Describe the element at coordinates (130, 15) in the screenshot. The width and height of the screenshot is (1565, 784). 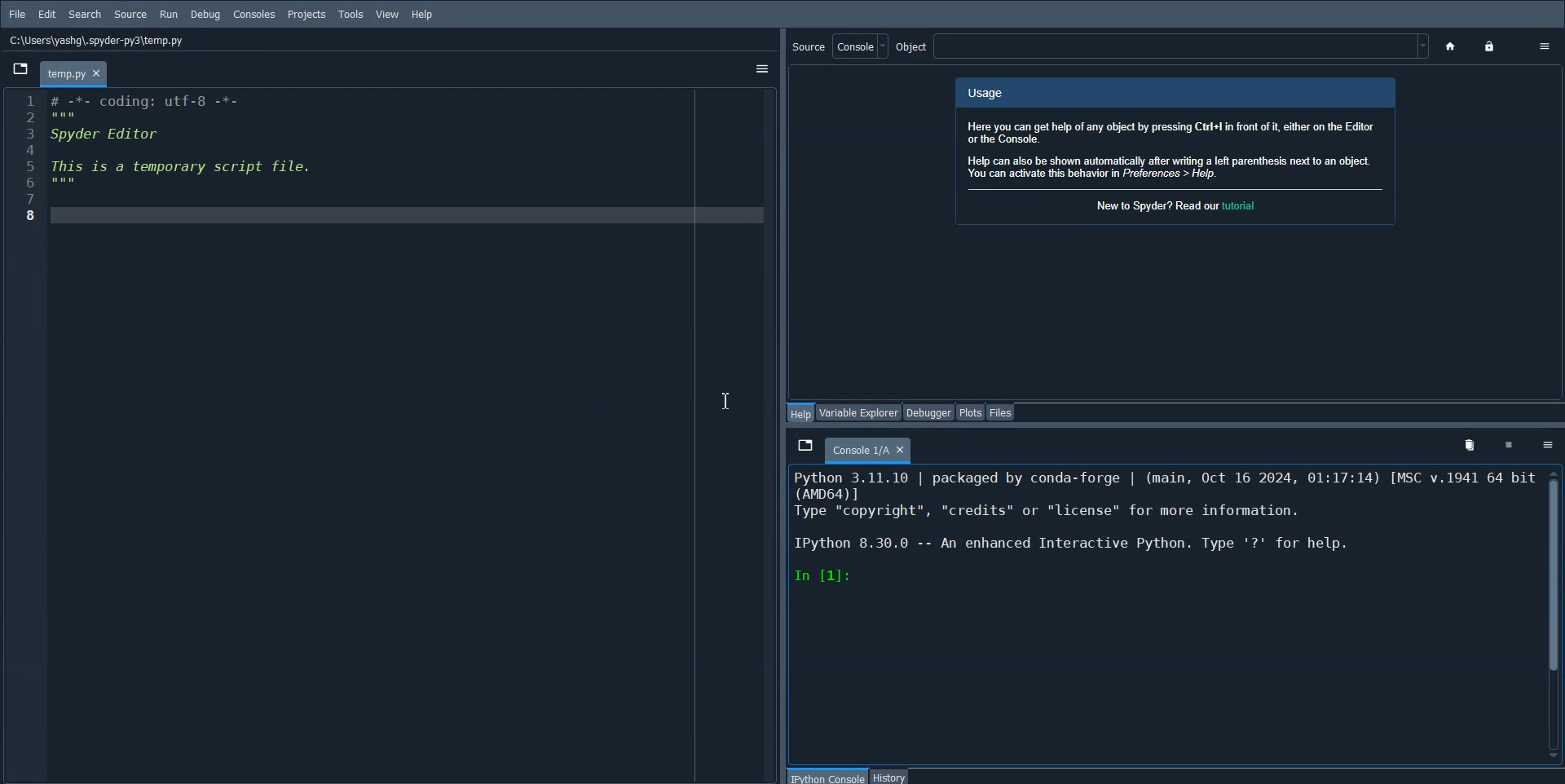
I see `Source` at that location.